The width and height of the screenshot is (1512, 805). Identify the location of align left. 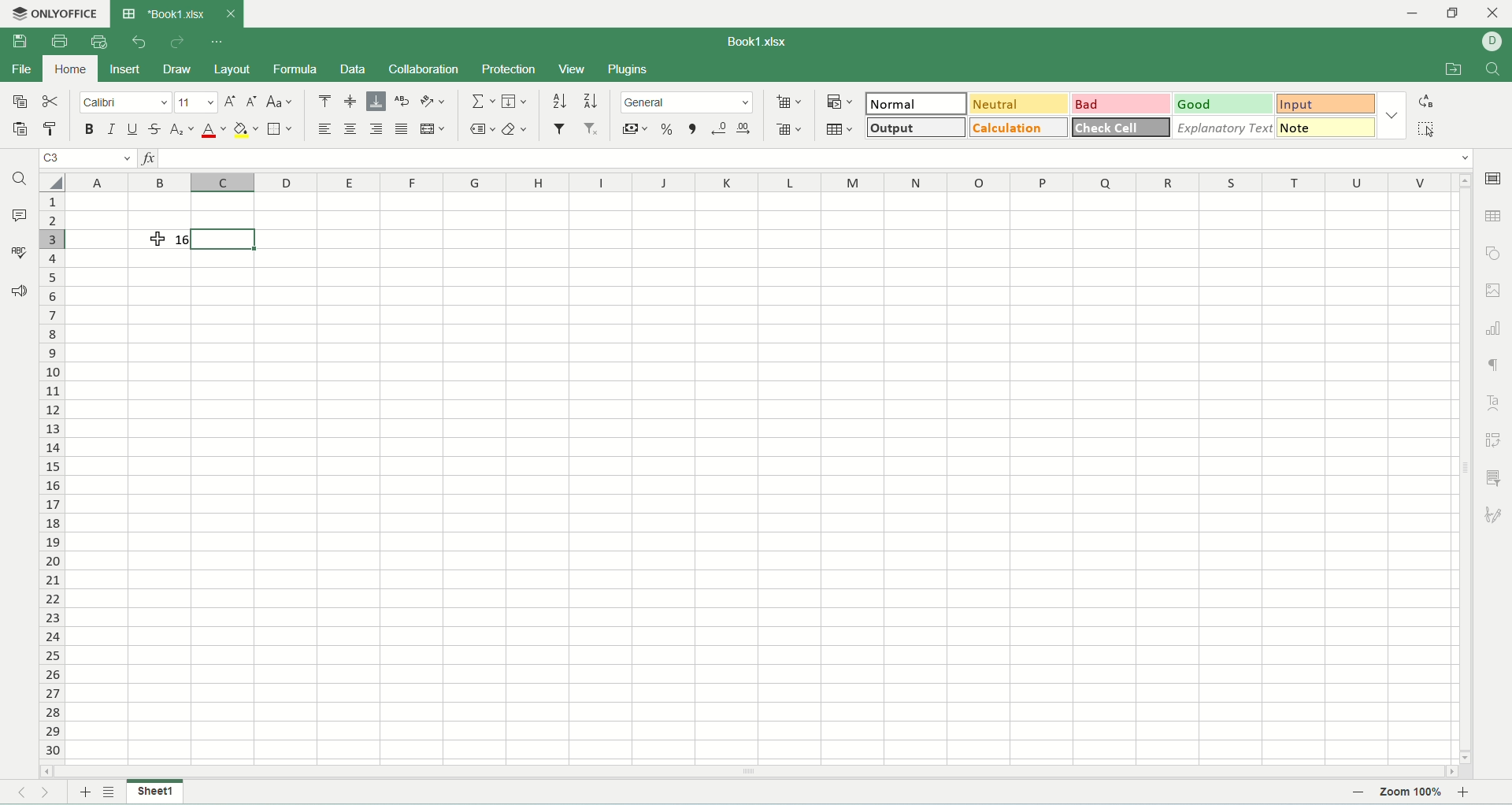
(324, 130).